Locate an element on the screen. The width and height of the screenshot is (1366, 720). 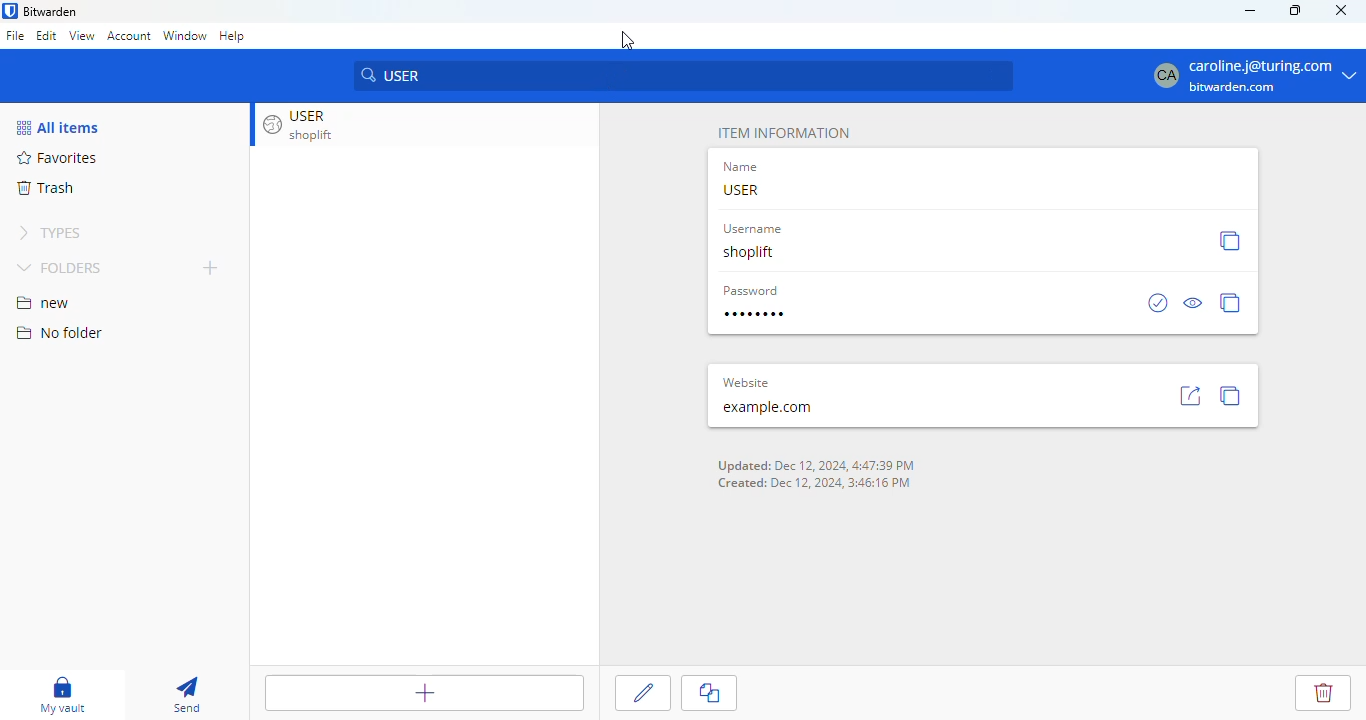
TYPES is located at coordinates (49, 231).